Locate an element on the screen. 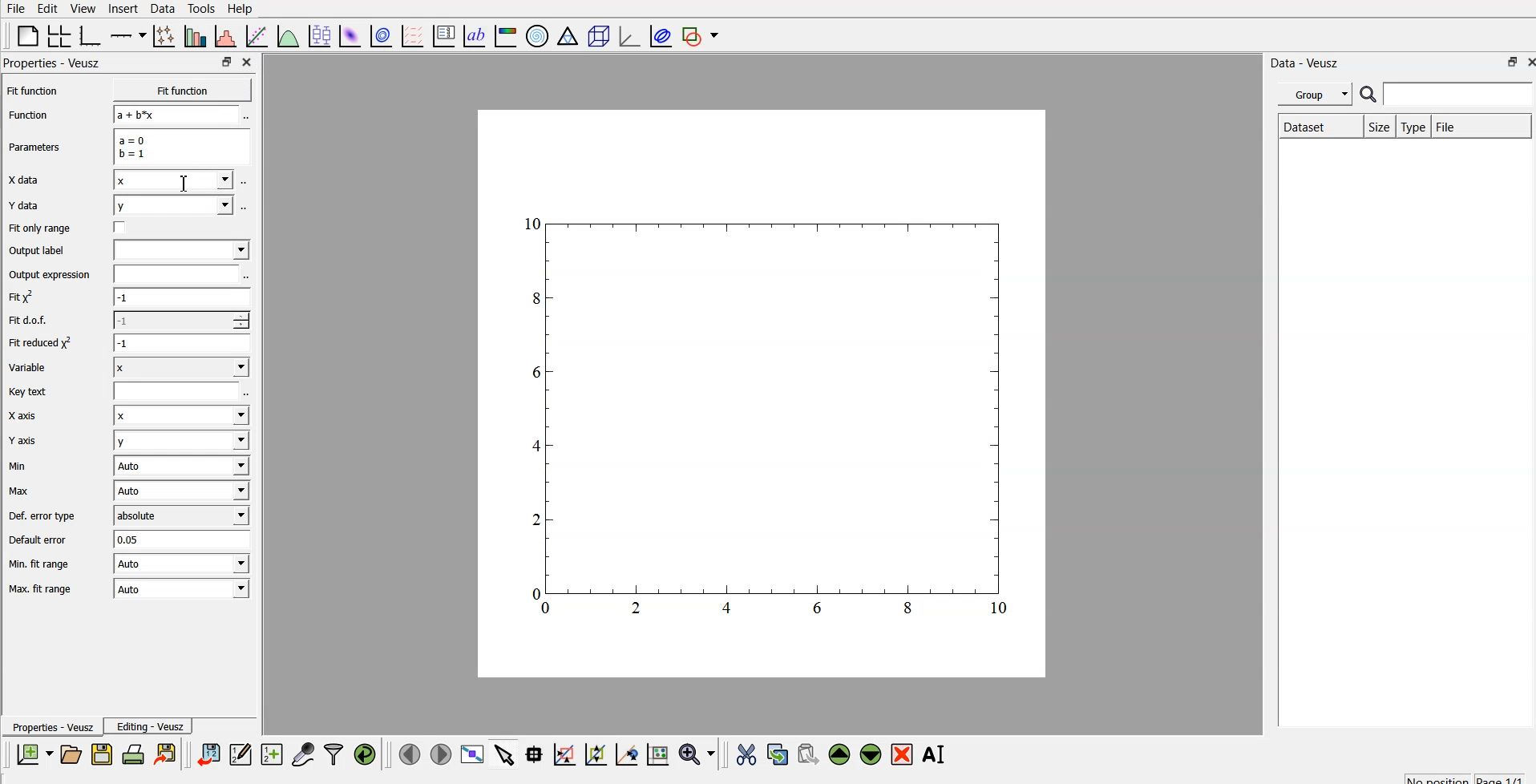 This screenshot has width=1536, height=784. file is located at coordinates (14, 8).